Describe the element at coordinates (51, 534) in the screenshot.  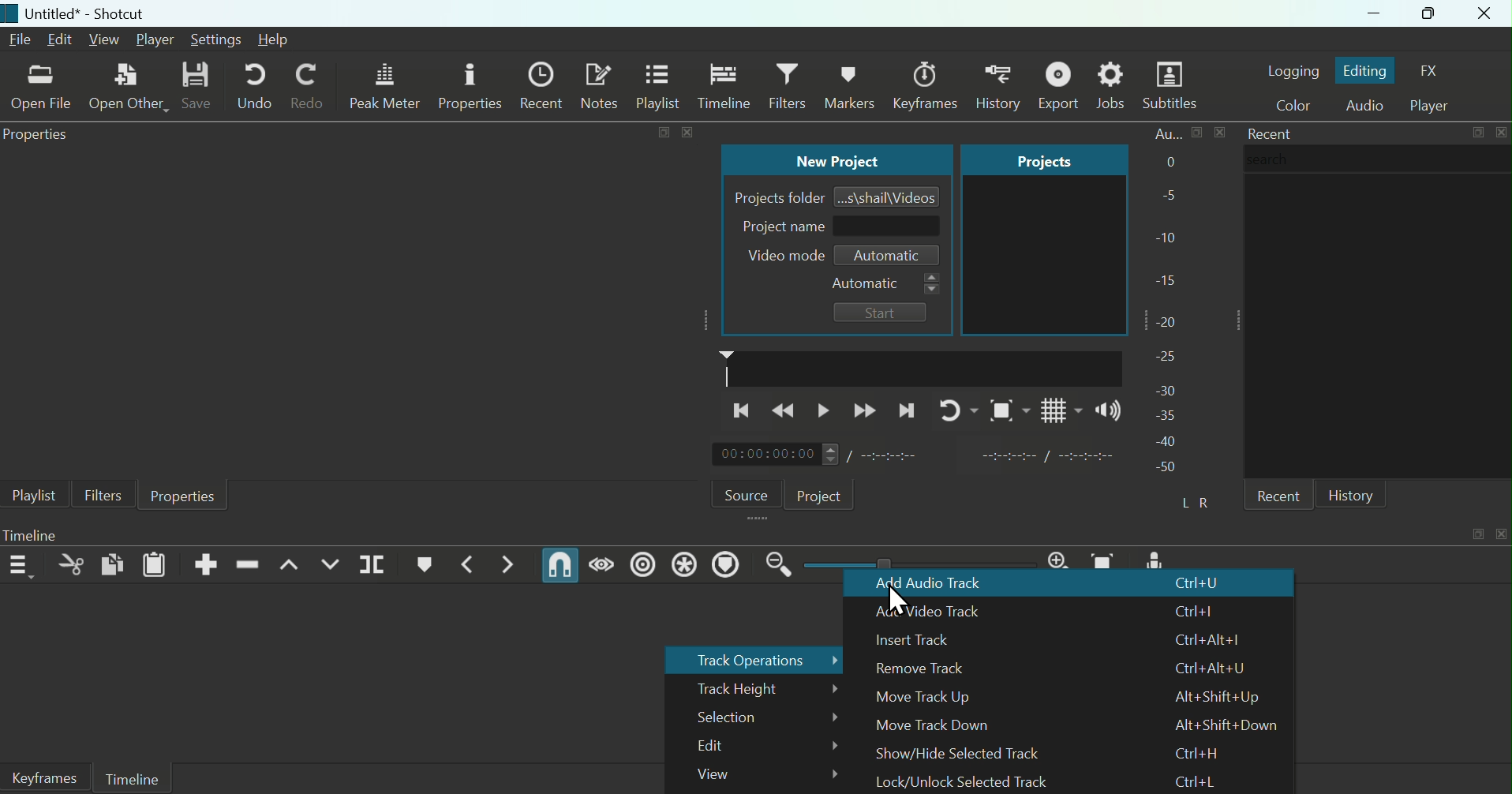
I see `Timeline` at that location.